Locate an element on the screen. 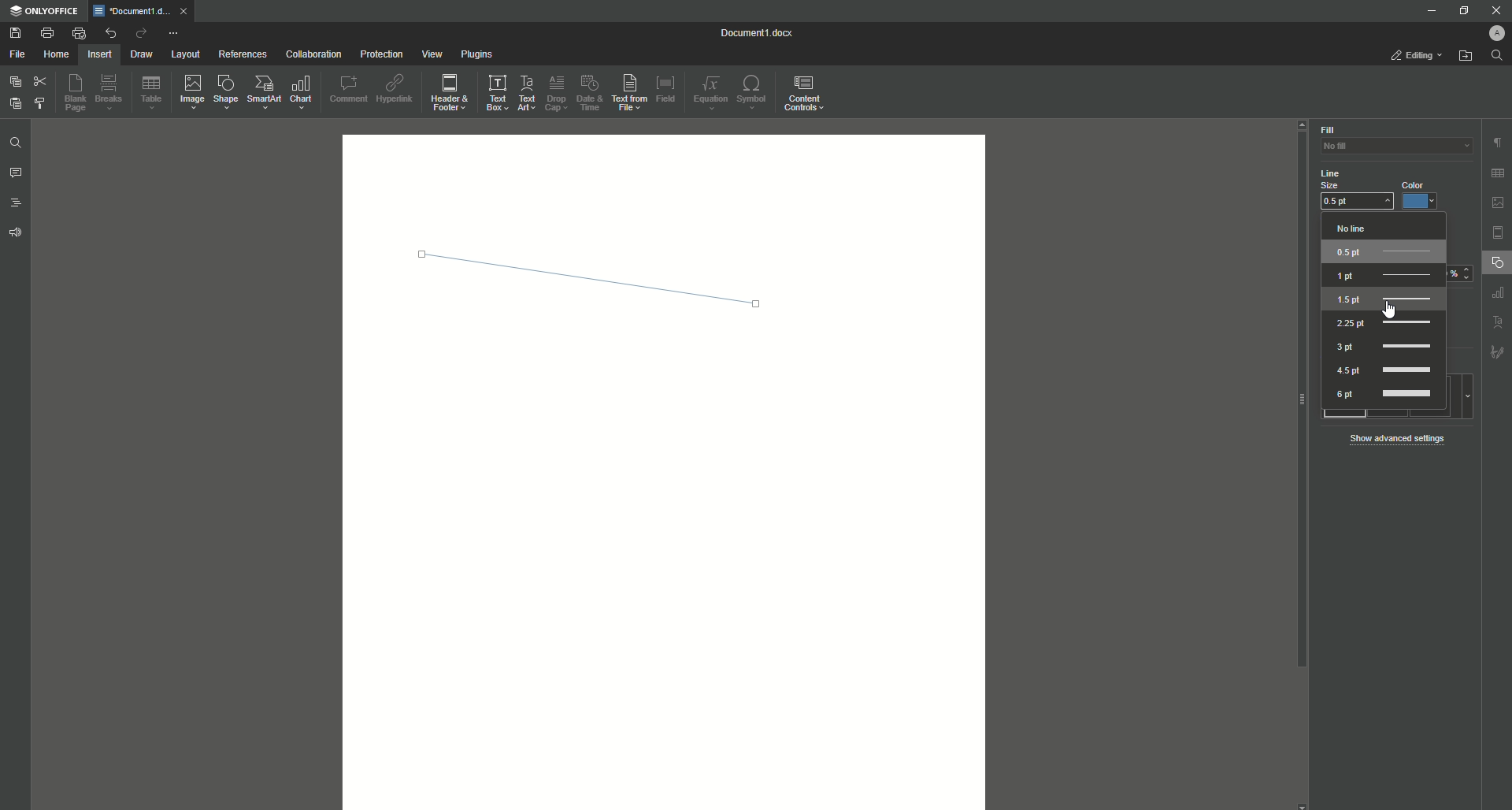 This screenshot has width=1512, height=810. picture is located at coordinates (1497, 202).